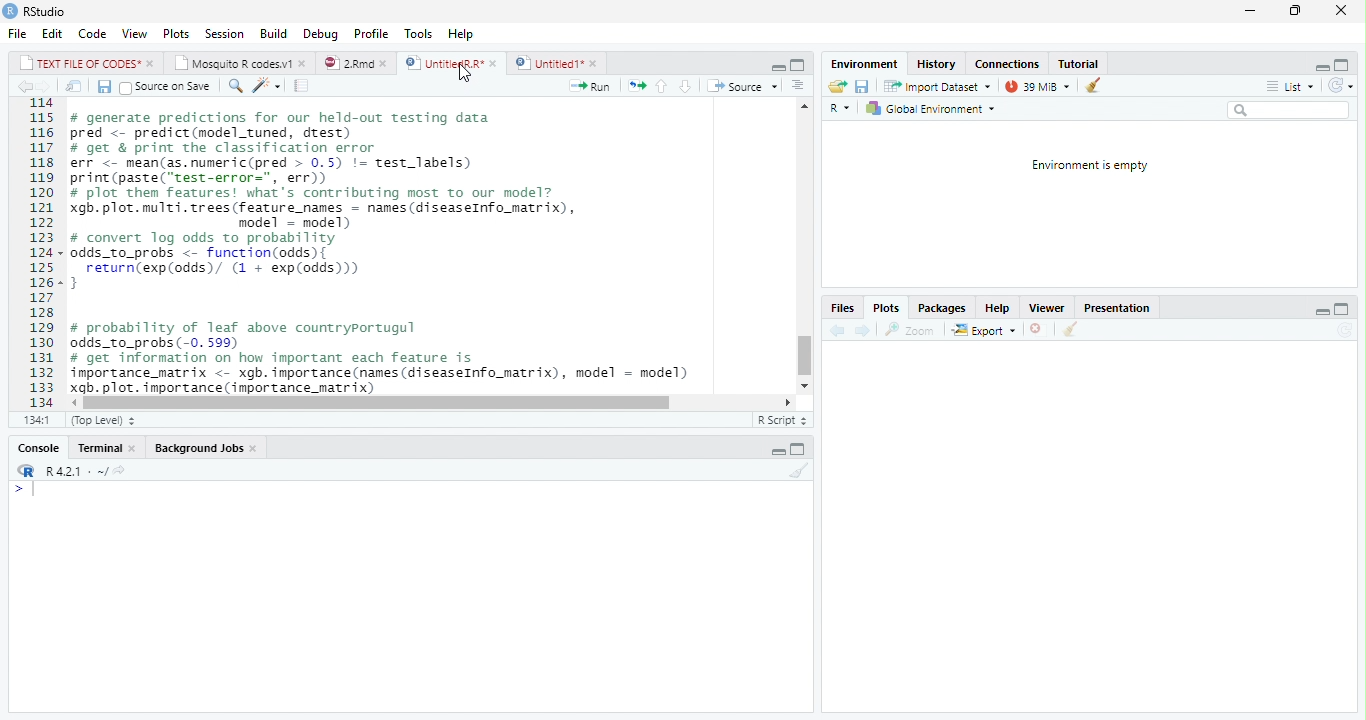 The width and height of the screenshot is (1366, 720). I want to click on Refresh, so click(1340, 84).